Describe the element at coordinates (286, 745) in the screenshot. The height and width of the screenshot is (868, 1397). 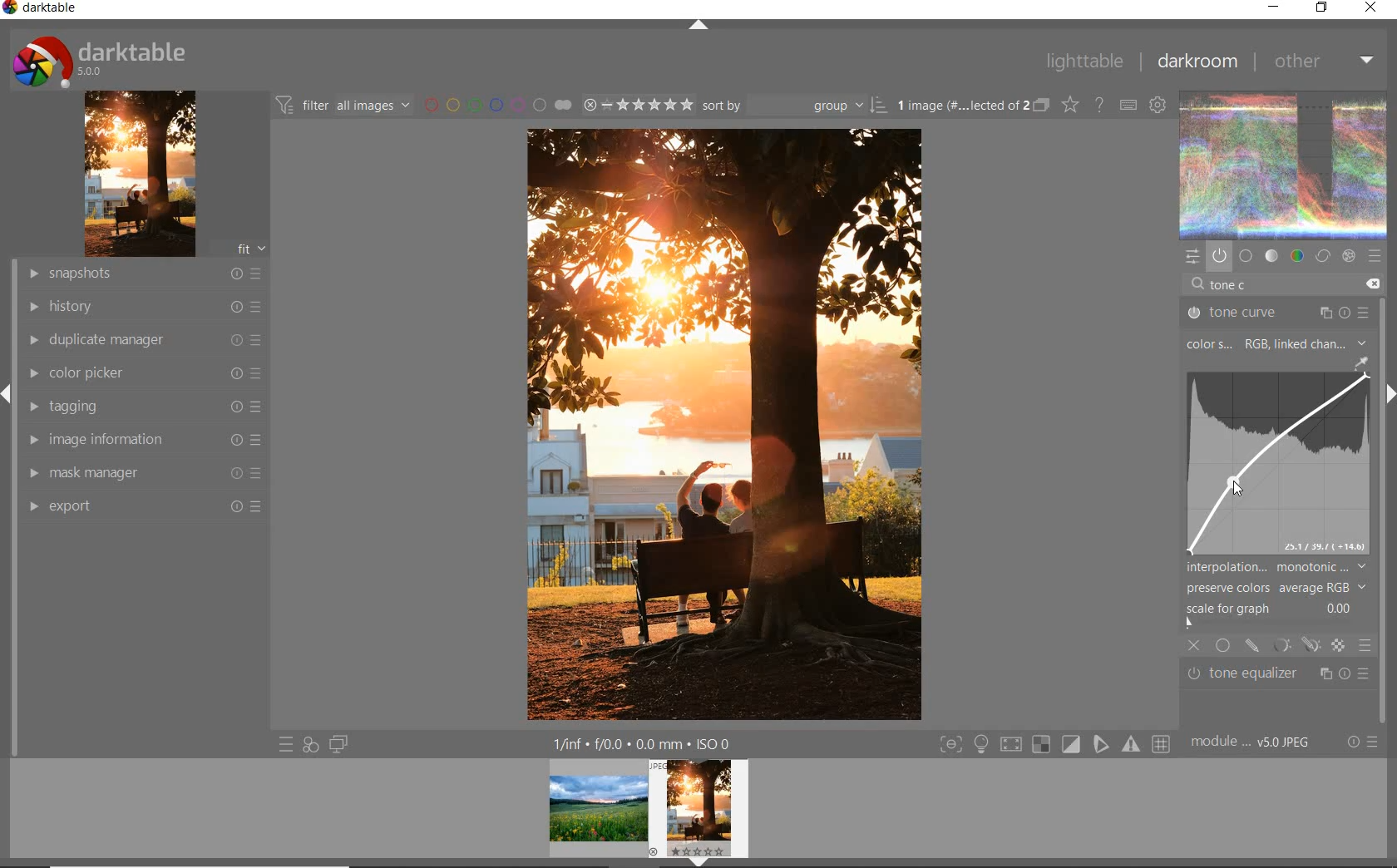
I see `quick access to presets` at that location.